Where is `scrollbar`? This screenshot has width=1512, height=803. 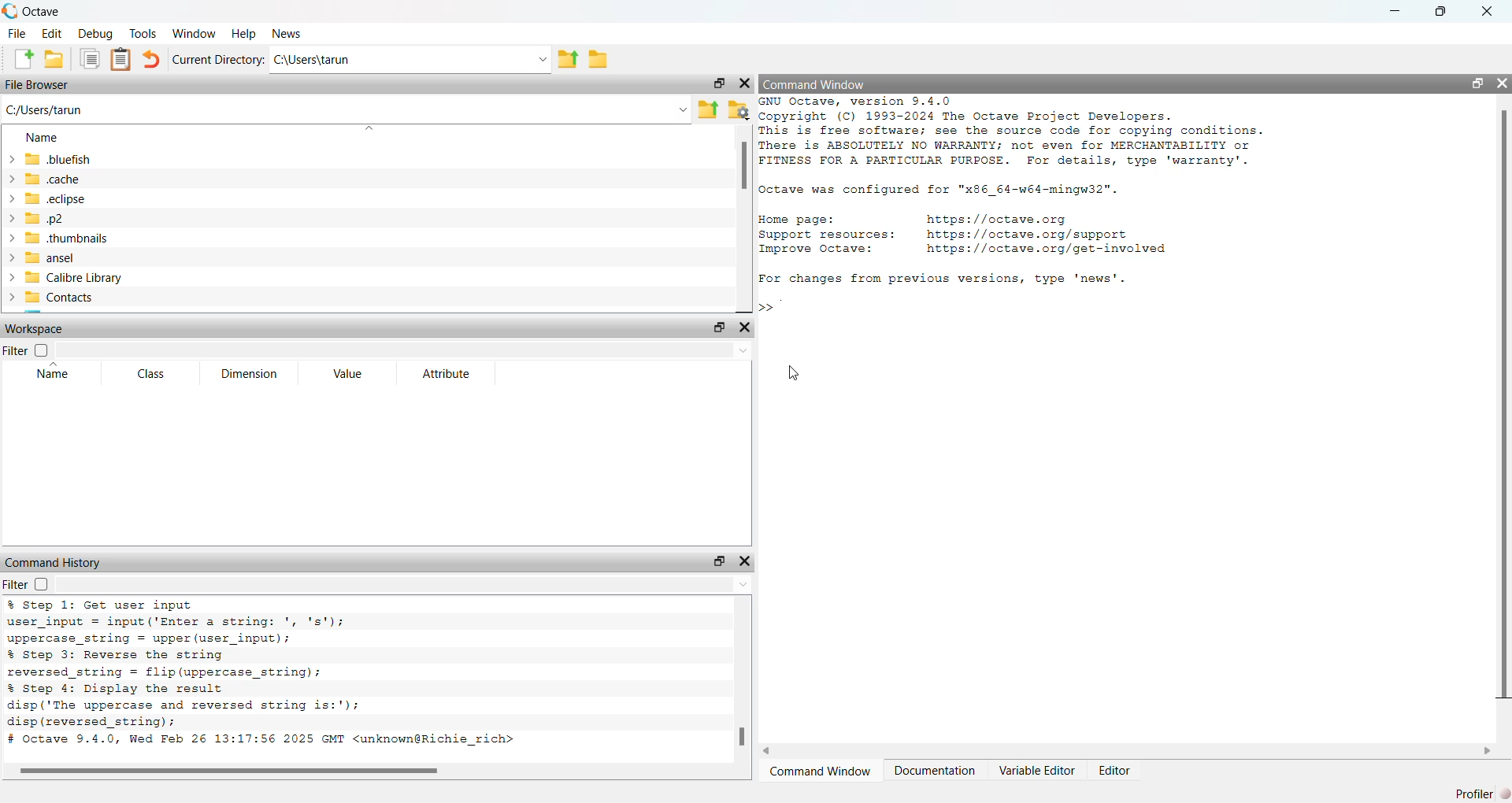 scrollbar is located at coordinates (744, 734).